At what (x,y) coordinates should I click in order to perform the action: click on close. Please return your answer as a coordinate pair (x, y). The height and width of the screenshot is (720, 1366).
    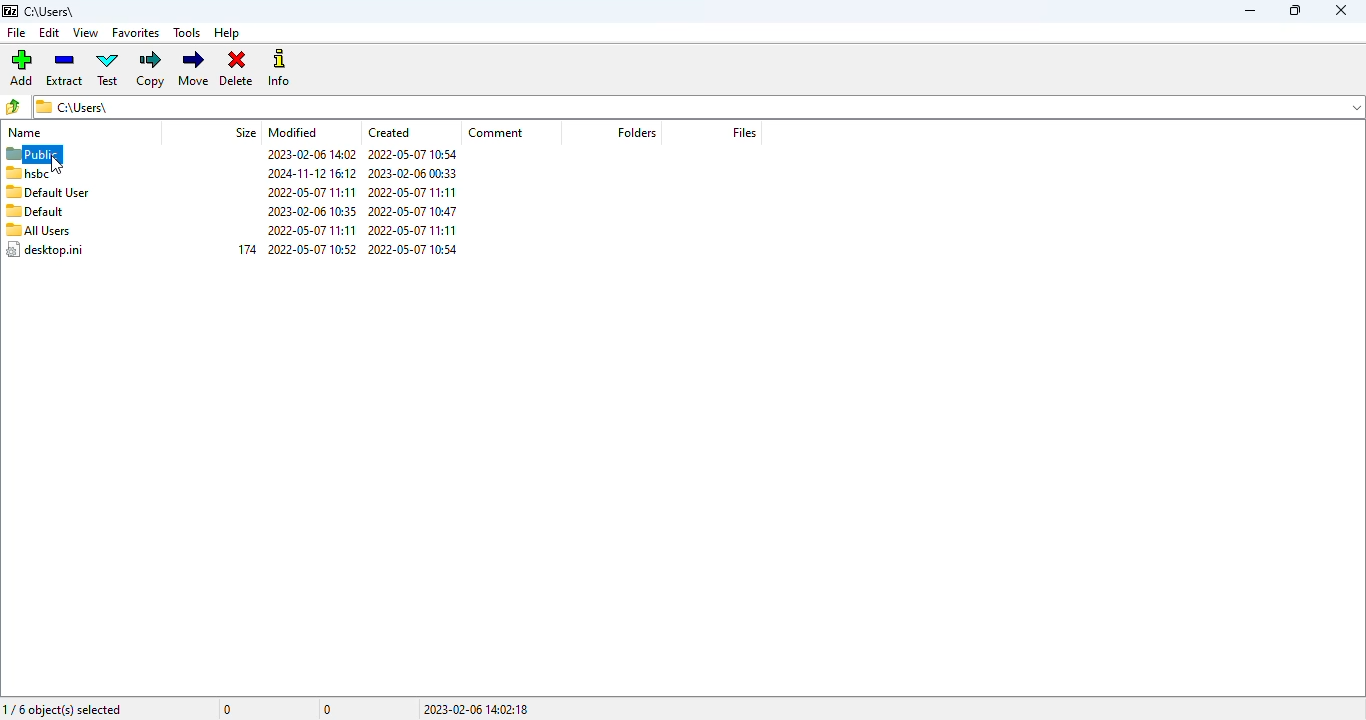
    Looking at the image, I should click on (1341, 10).